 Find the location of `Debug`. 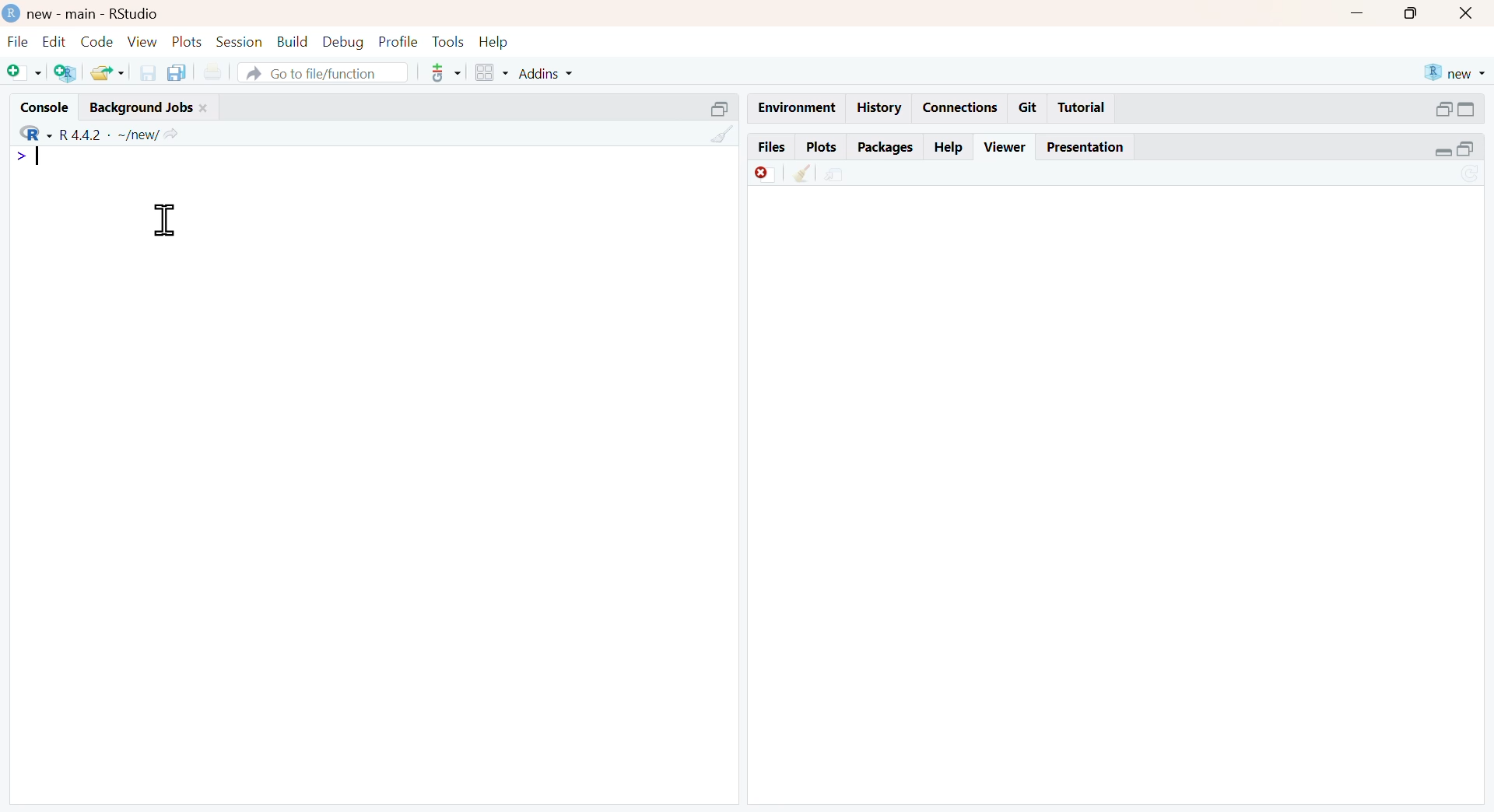

Debug is located at coordinates (343, 42).